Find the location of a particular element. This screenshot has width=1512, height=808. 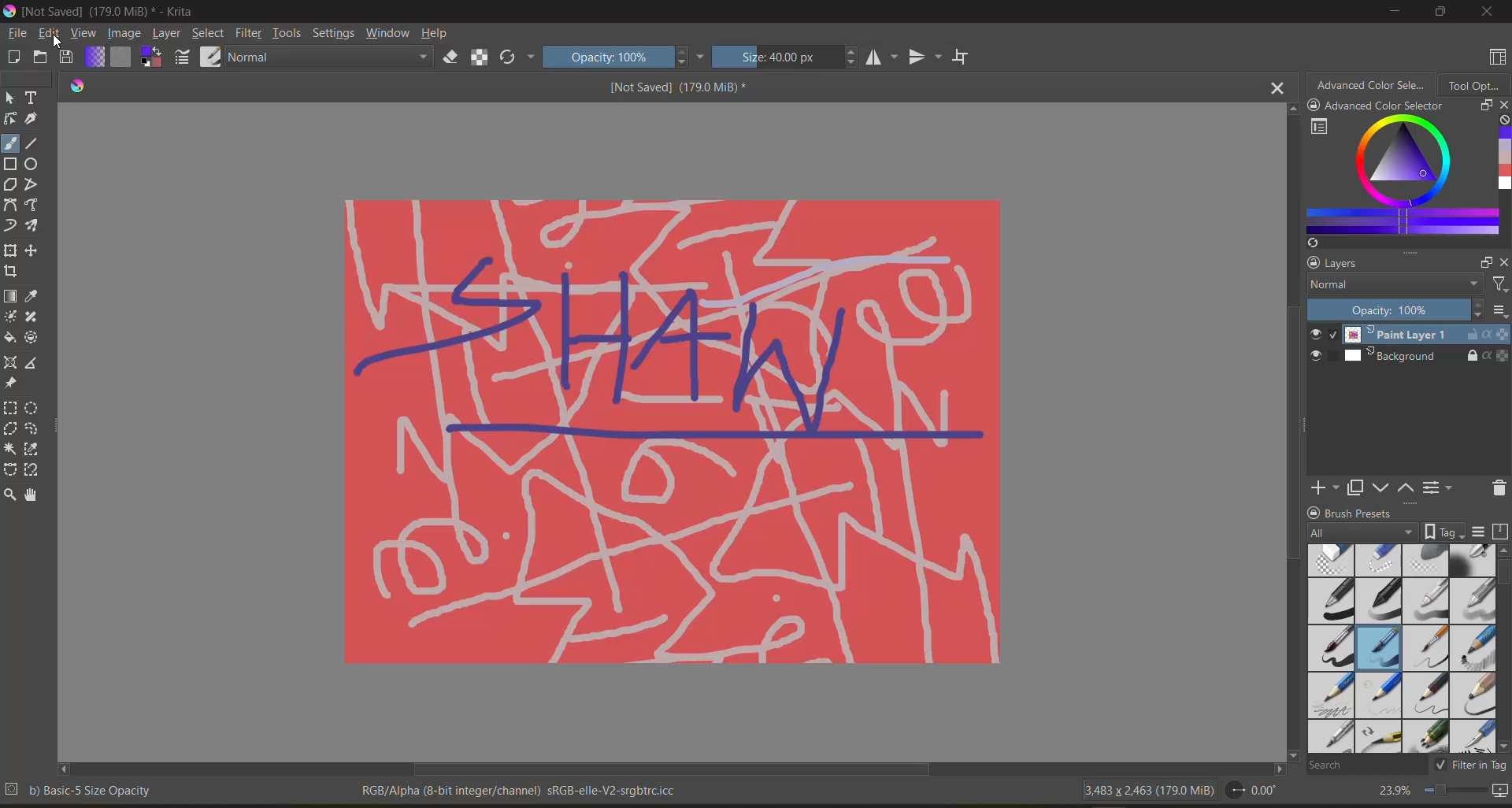

Multi brush tool is located at coordinates (36, 226).